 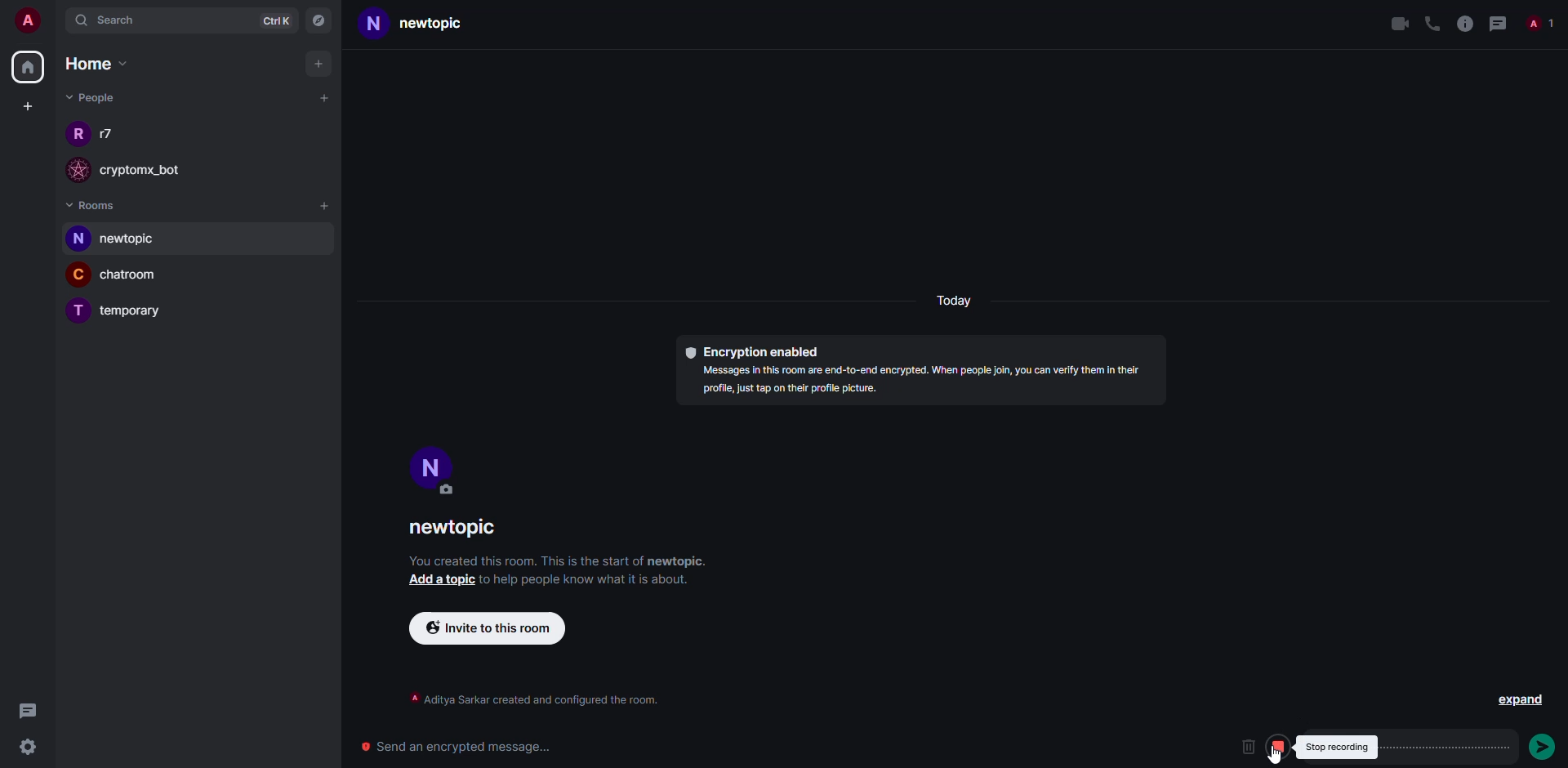 I want to click on info, so click(x=559, y=561).